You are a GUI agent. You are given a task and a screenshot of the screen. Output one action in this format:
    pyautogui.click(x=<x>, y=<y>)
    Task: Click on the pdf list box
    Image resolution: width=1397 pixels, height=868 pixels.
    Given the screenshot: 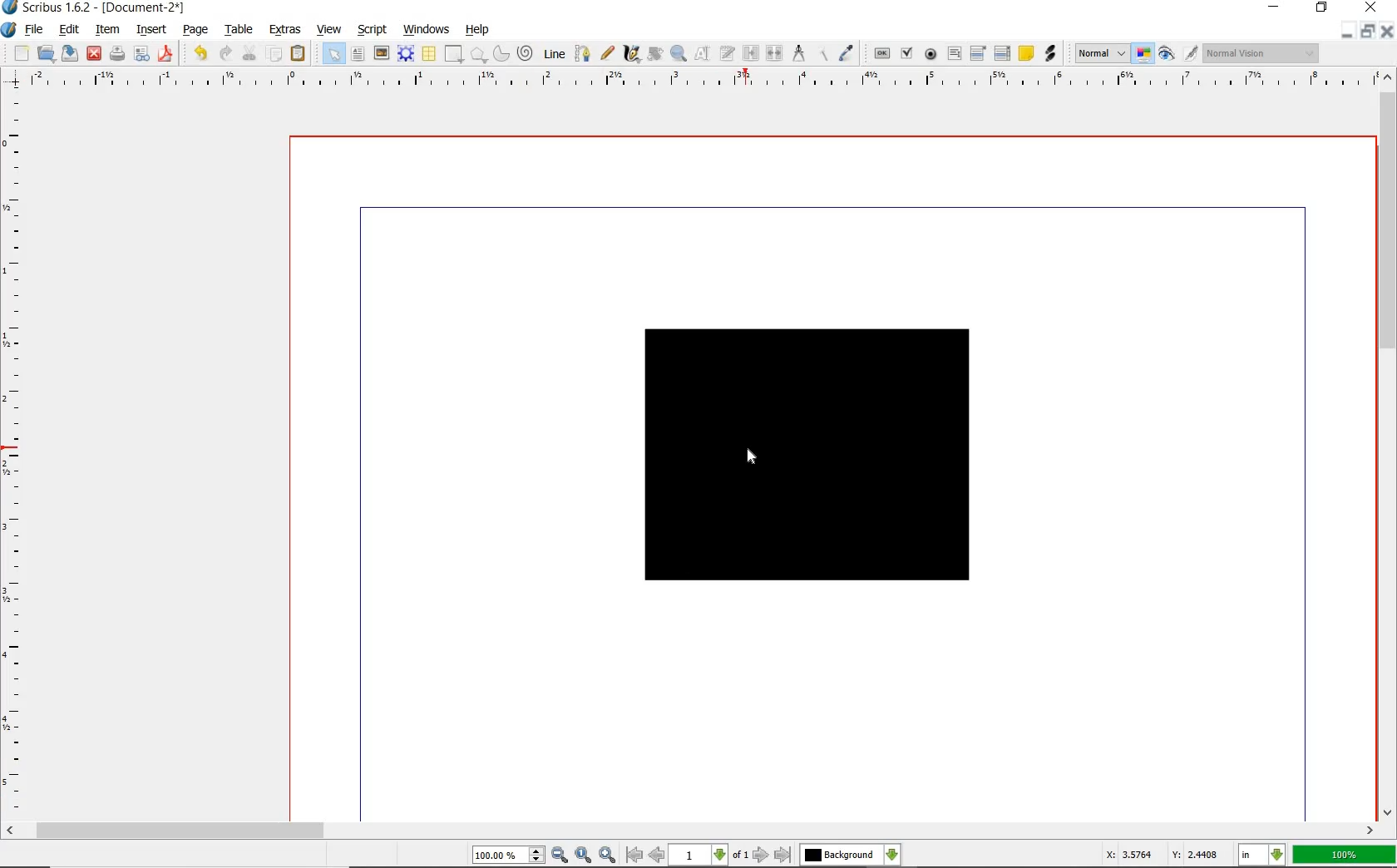 What is the action you would take?
    pyautogui.click(x=1003, y=52)
    